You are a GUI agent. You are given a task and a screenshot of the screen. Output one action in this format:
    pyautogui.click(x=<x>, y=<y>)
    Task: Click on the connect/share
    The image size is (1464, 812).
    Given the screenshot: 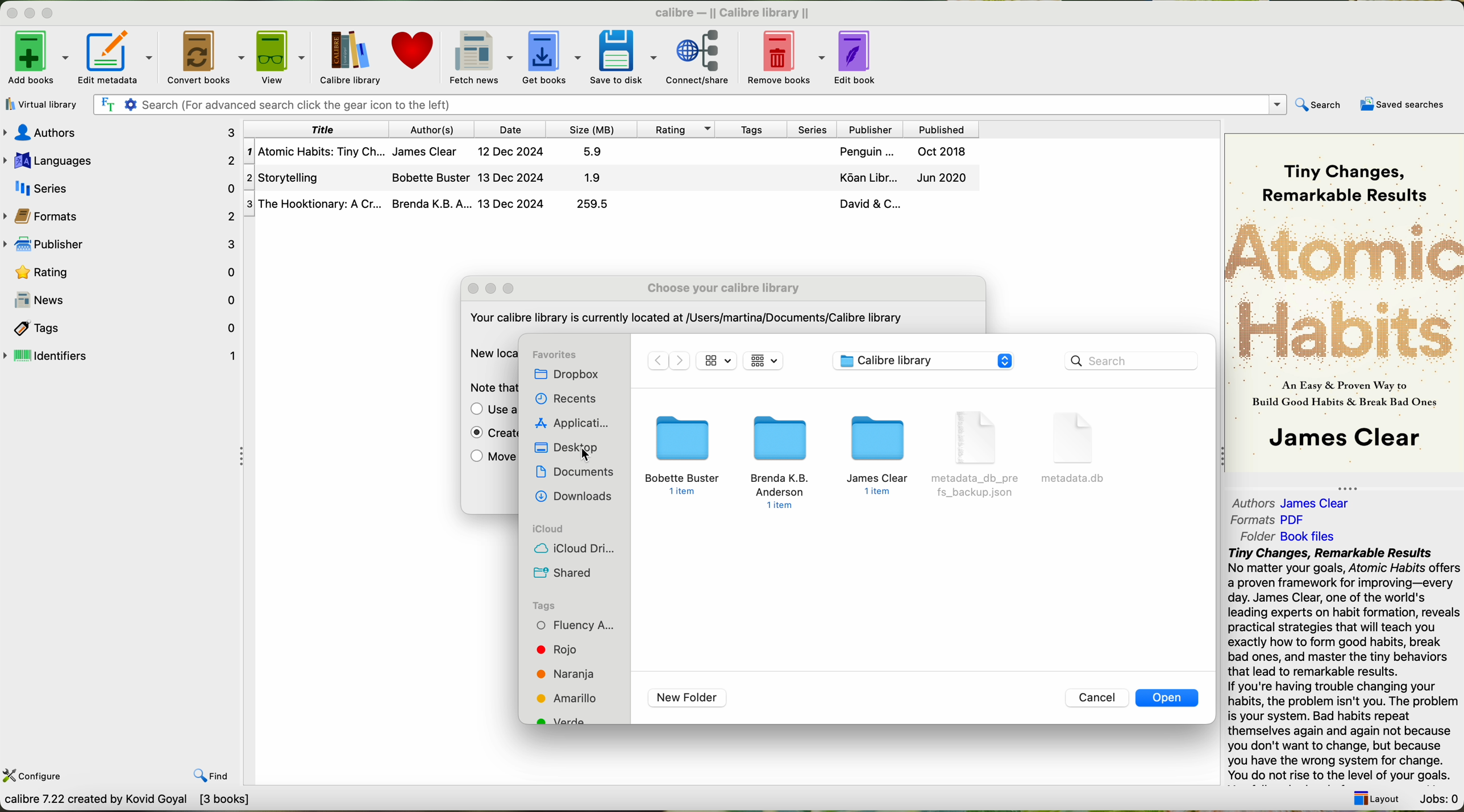 What is the action you would take?
    pyautogui.click(x=705, y=56)
    